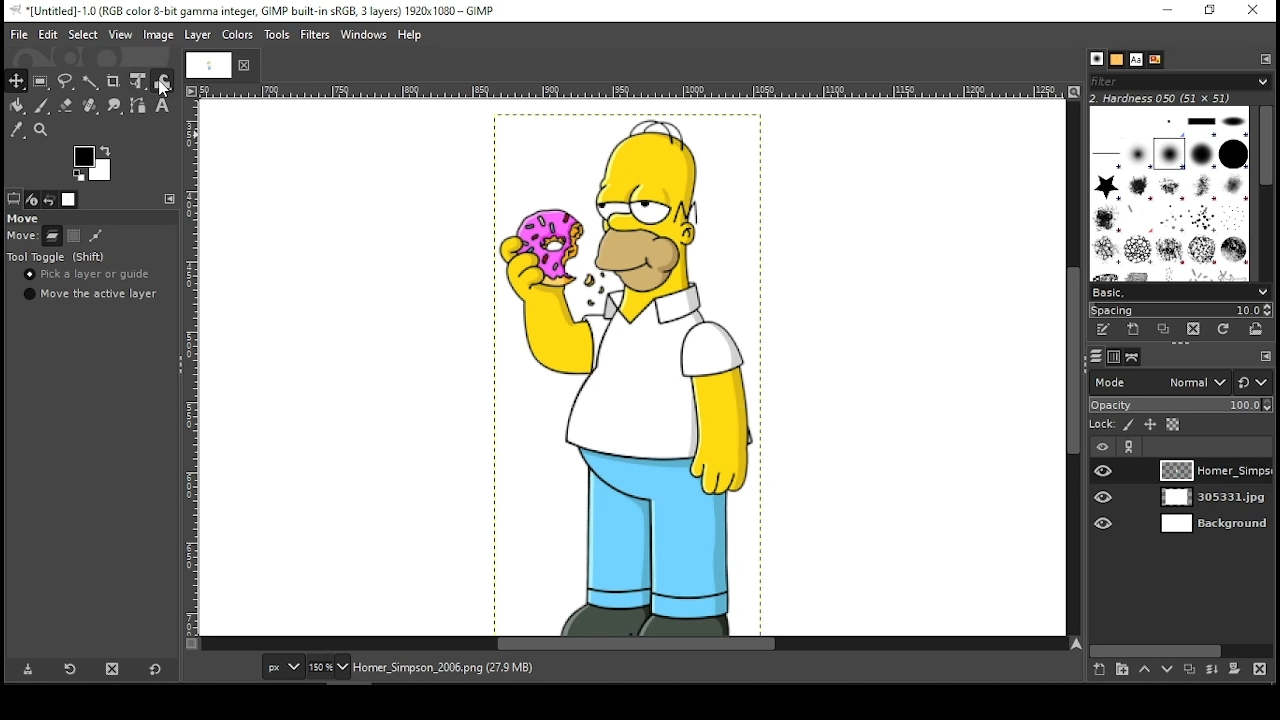  Describe the element at coordinates (44, 104) in the screenshot. I see `paint brush tool` at that location.